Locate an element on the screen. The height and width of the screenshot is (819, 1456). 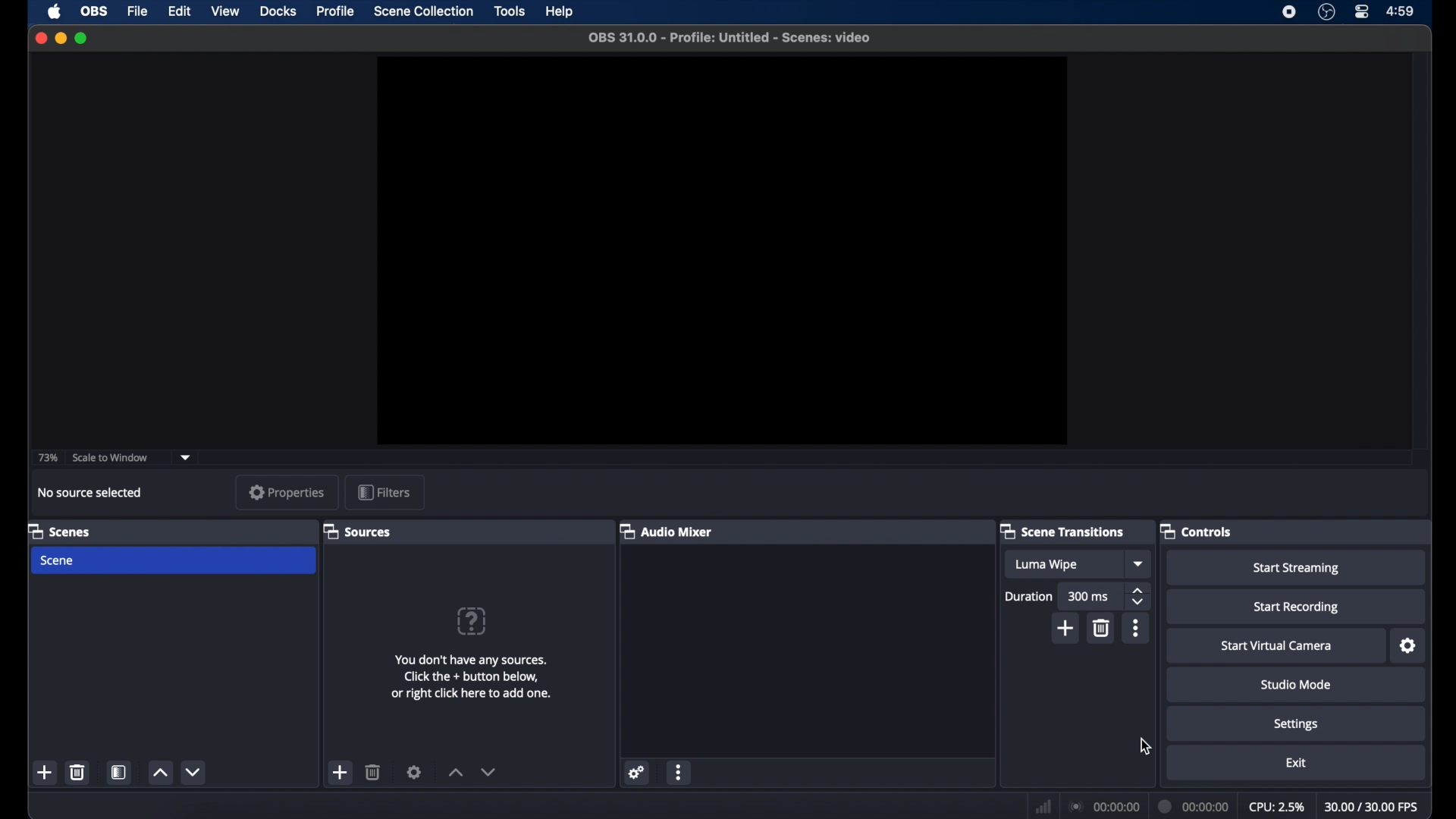
settings is located at coordinates (414, 772).